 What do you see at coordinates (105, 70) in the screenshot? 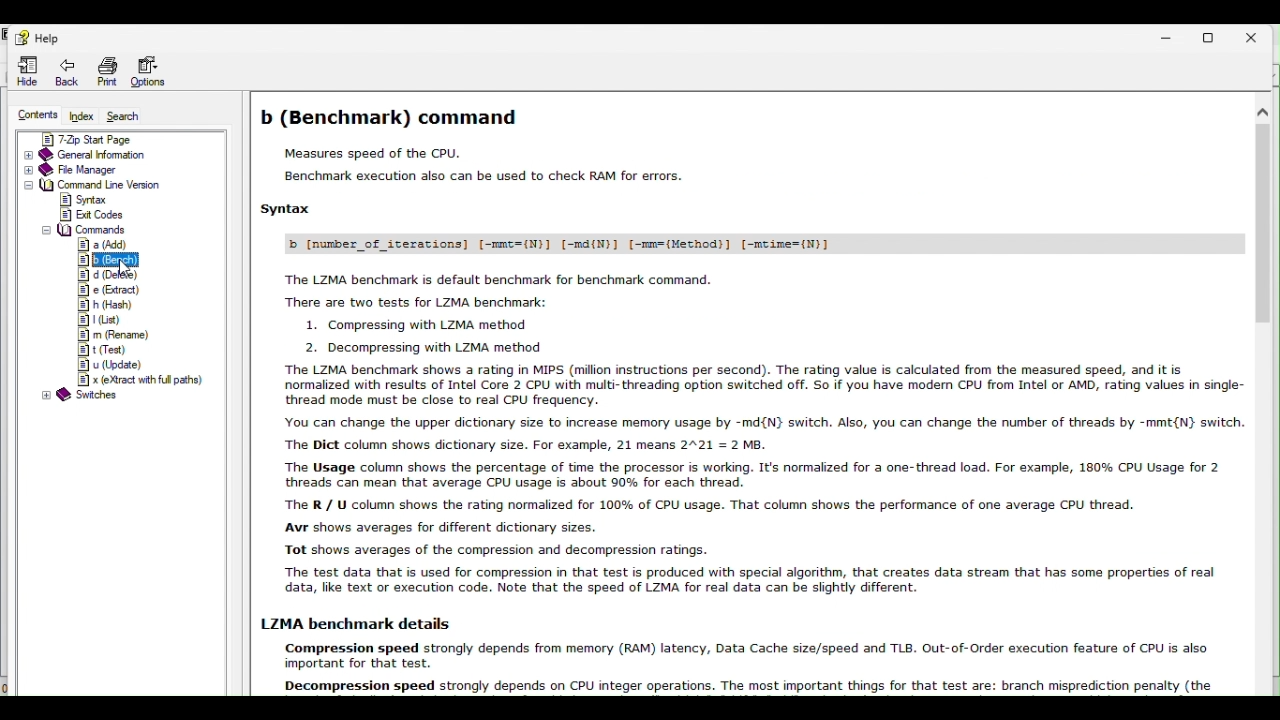
I see `print` at bounding box center [105, 70].